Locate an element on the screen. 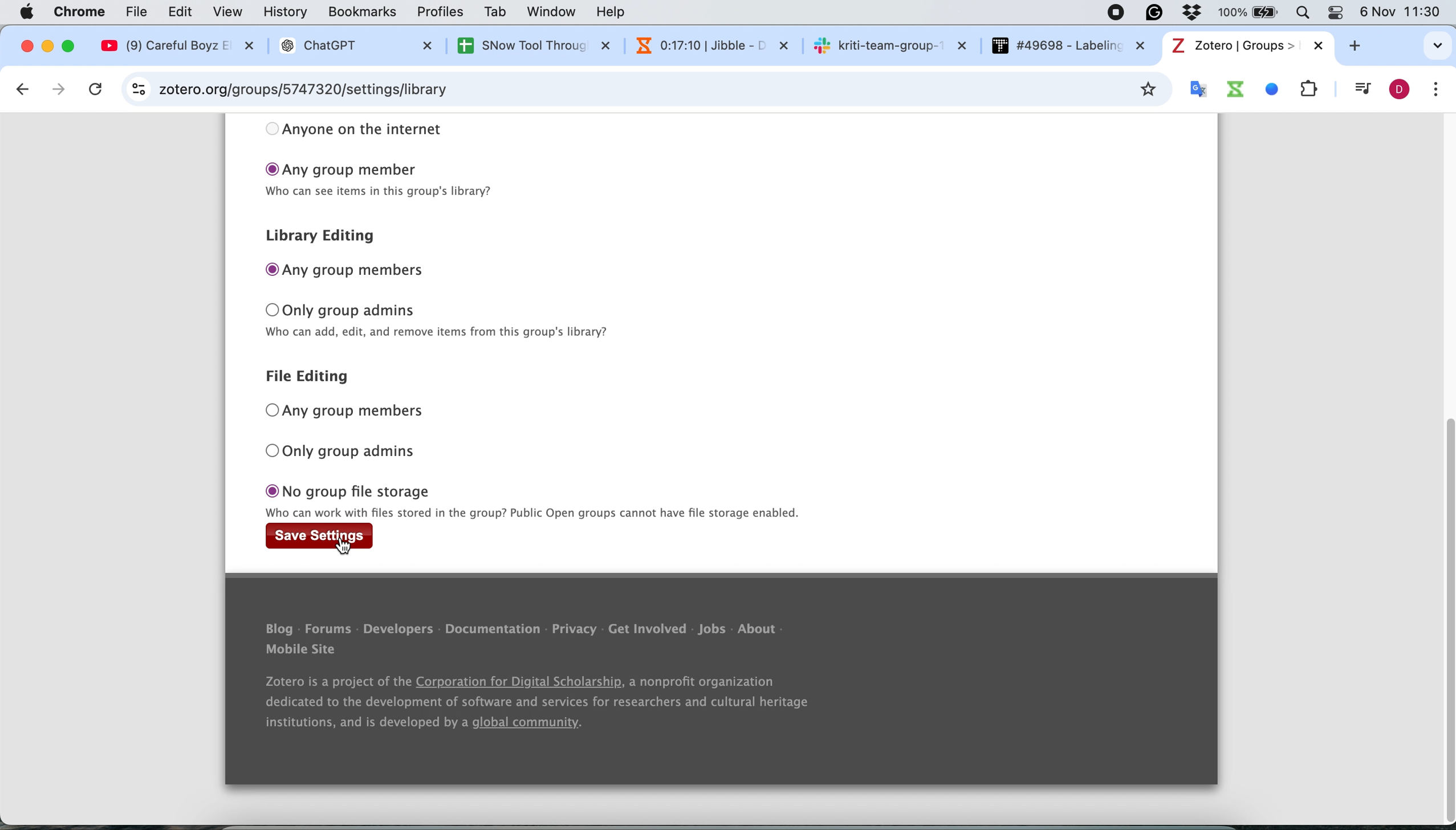  window is located at coordinates (554, 13).